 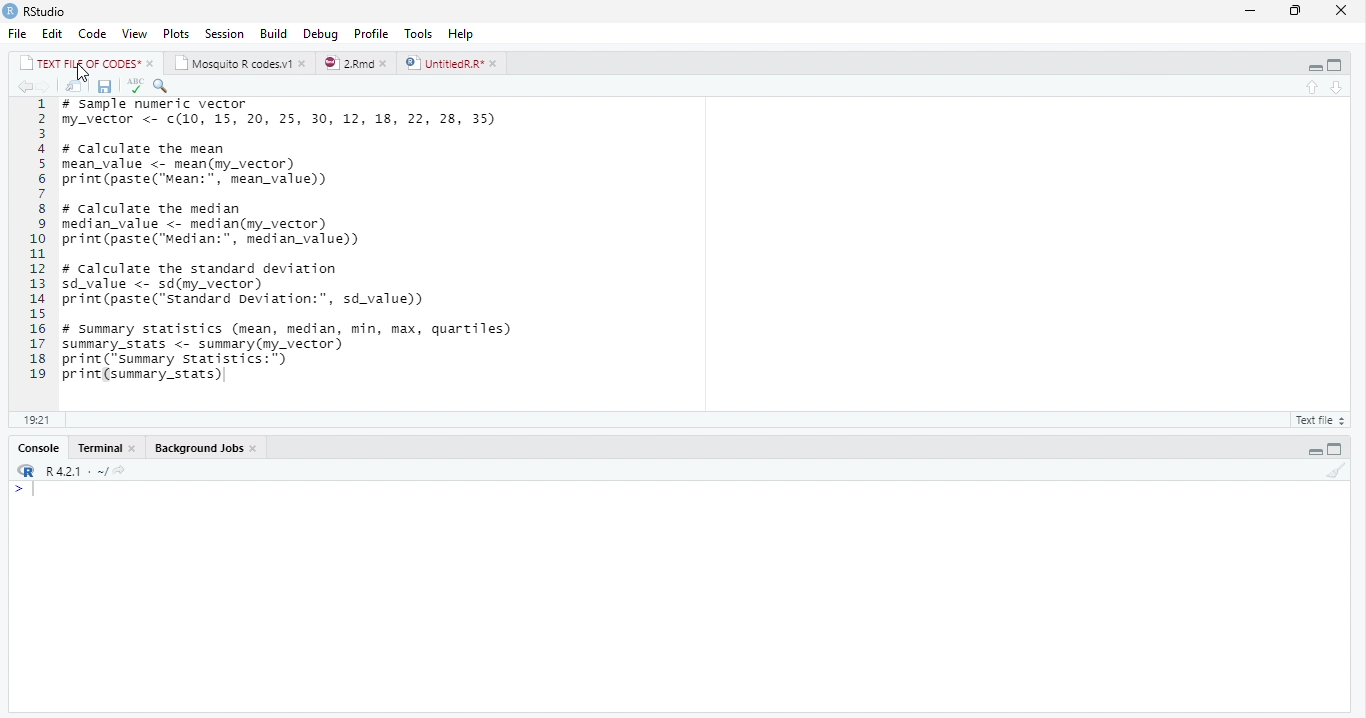 I want to click on forward, so click(x=47, y=88).